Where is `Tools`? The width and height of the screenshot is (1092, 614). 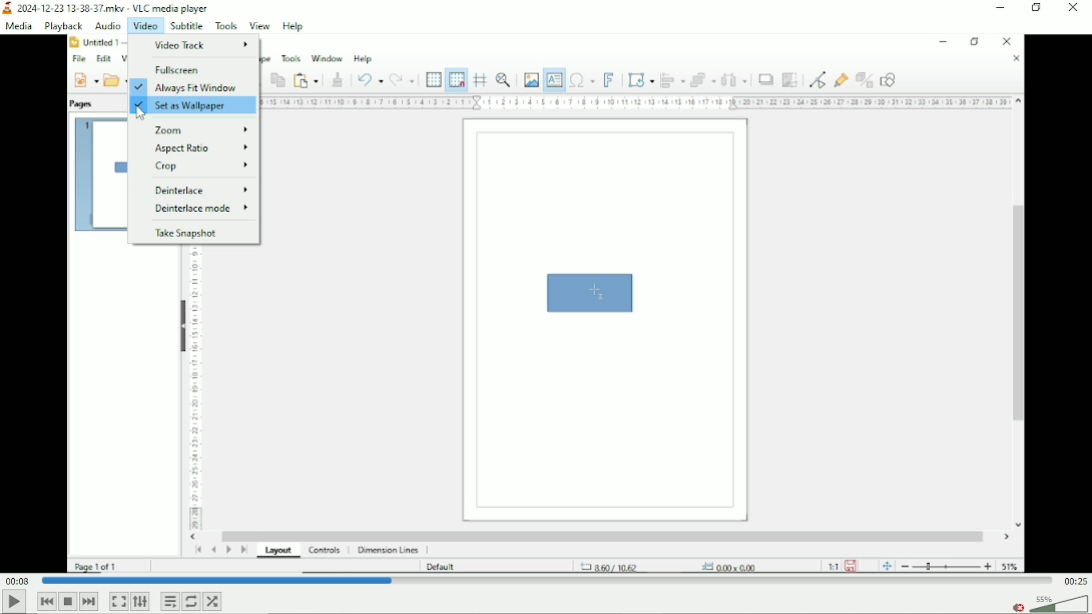 Tools is located at coordinates (226, 25).